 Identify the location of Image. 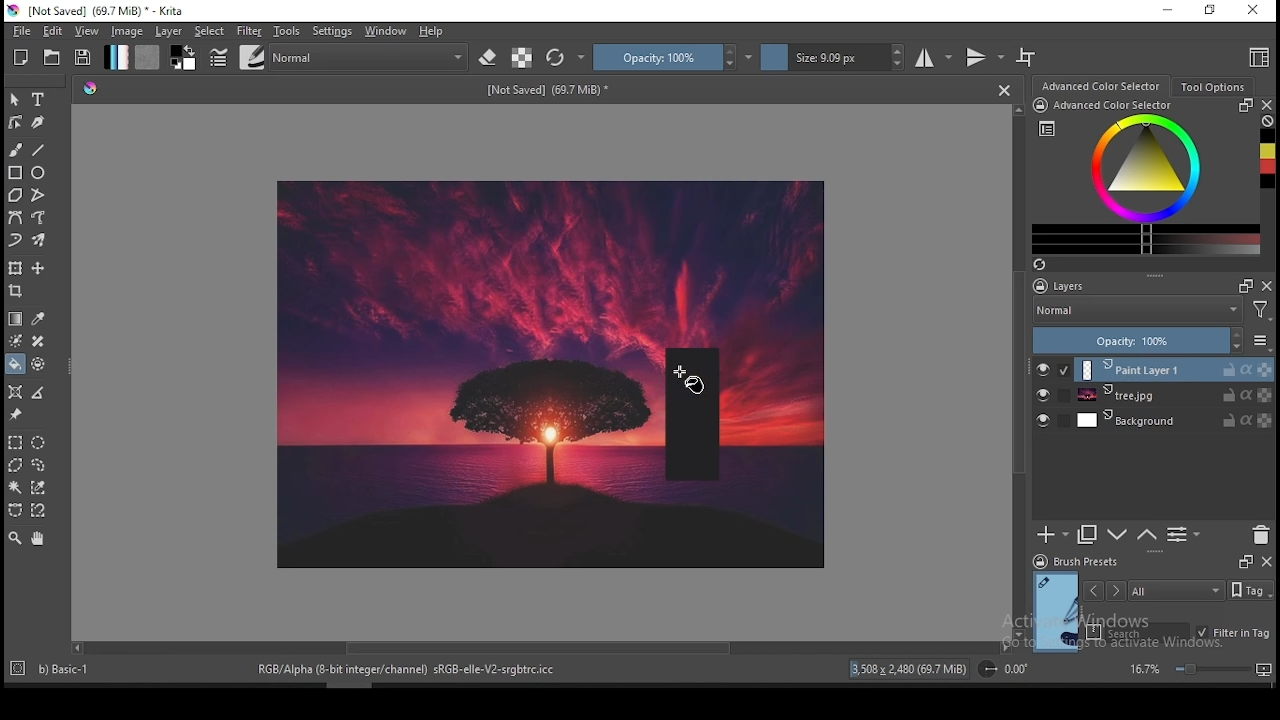
(471, 373).